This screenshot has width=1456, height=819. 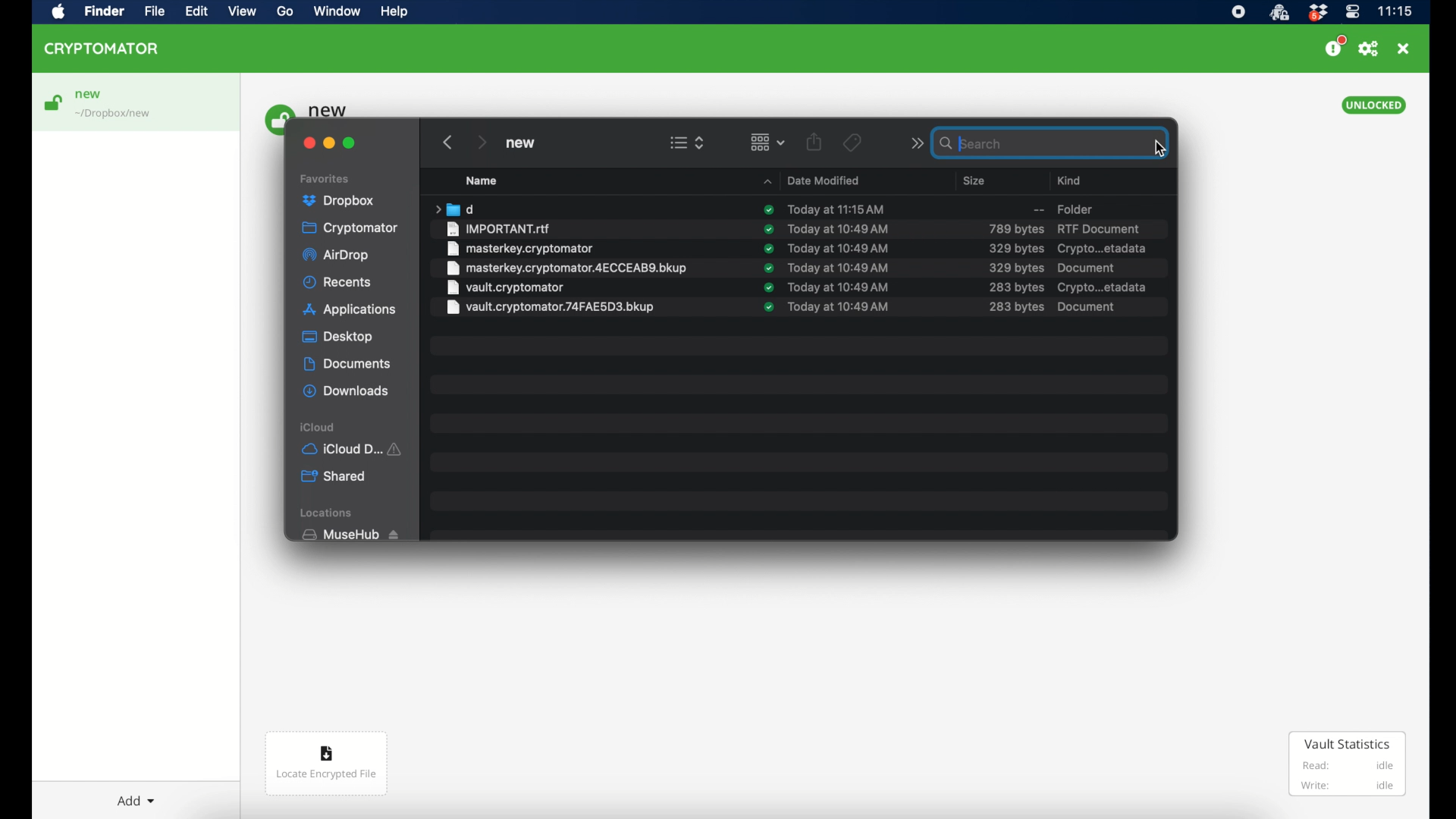 I want to click on applications, so click(x=352, y=310).